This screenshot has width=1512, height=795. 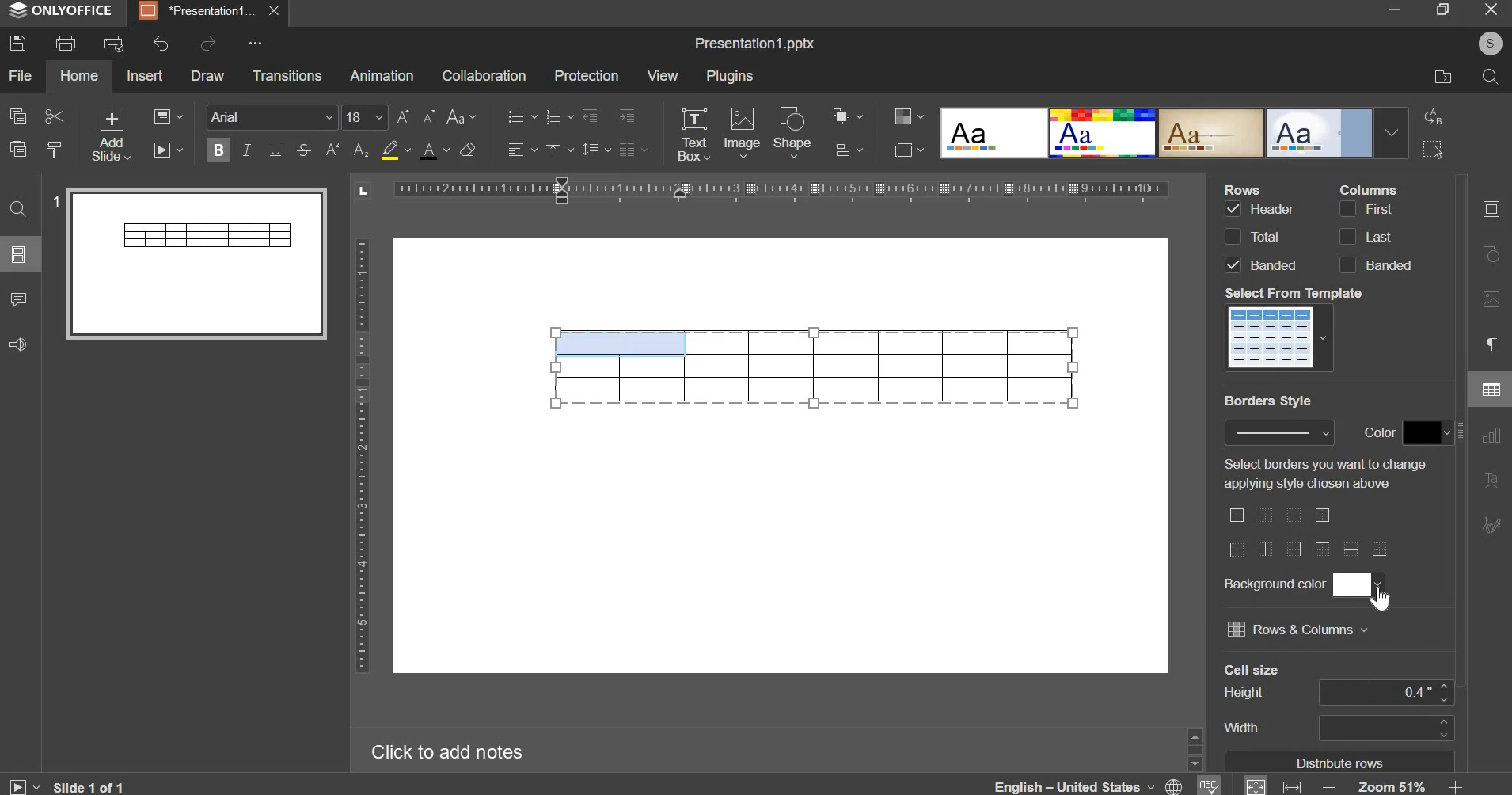 I want to click on zoom & fit, so click(x=1352, y=785).